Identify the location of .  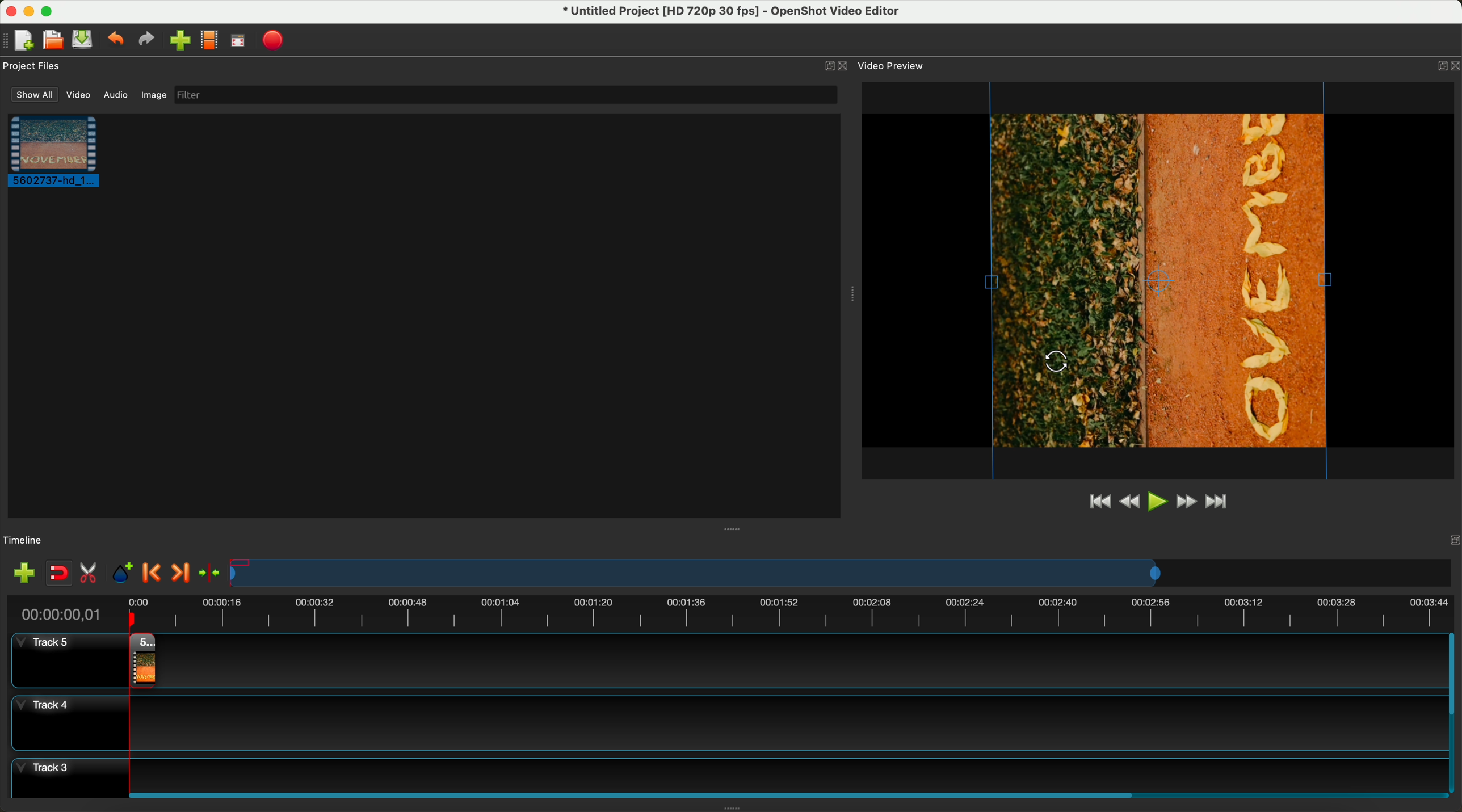
(1057, 363).